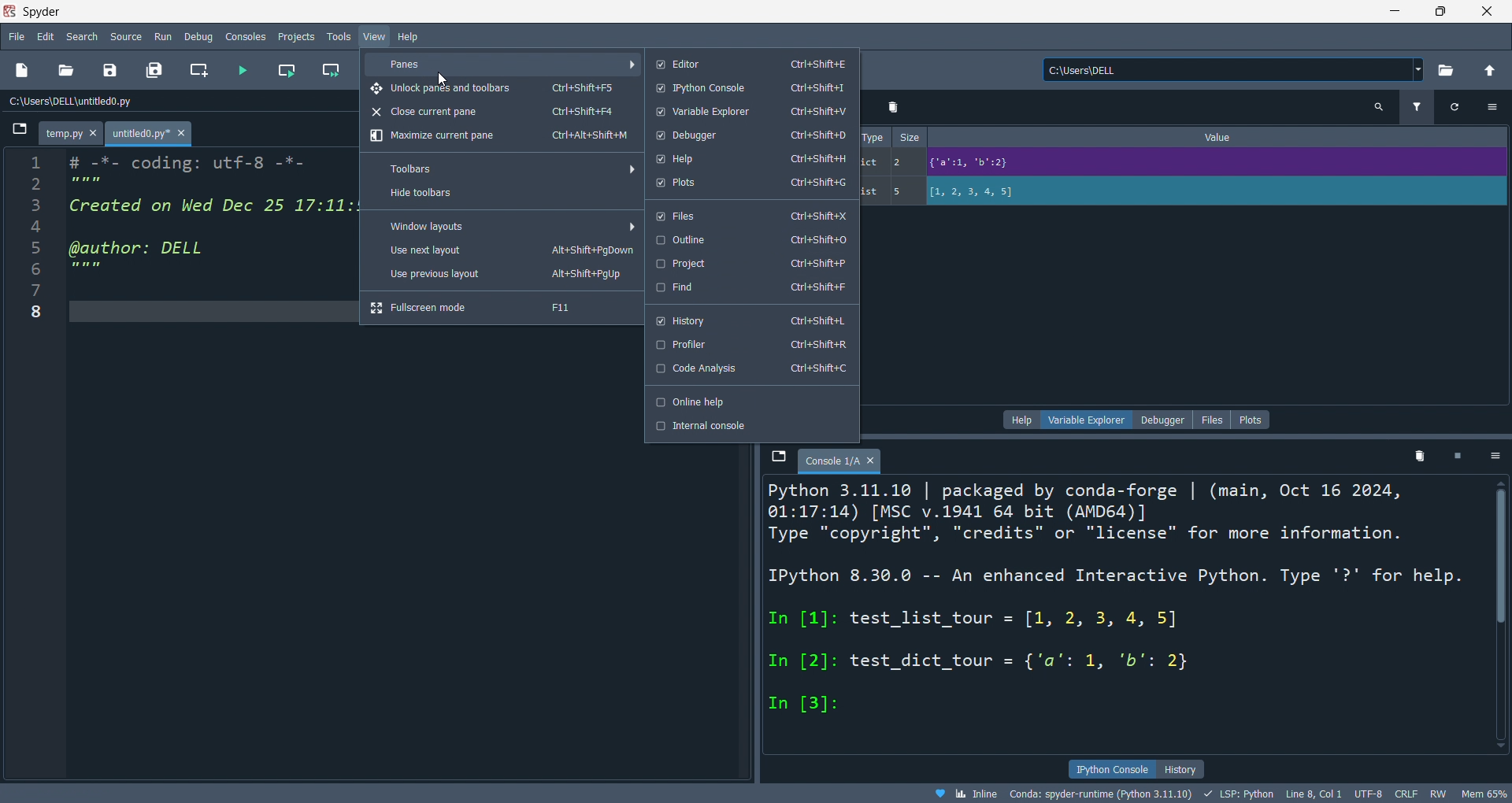 The image size is (1512, 803). Describe the element at coordinates (752, 62) in the screenshot. I see `editor` at that location.